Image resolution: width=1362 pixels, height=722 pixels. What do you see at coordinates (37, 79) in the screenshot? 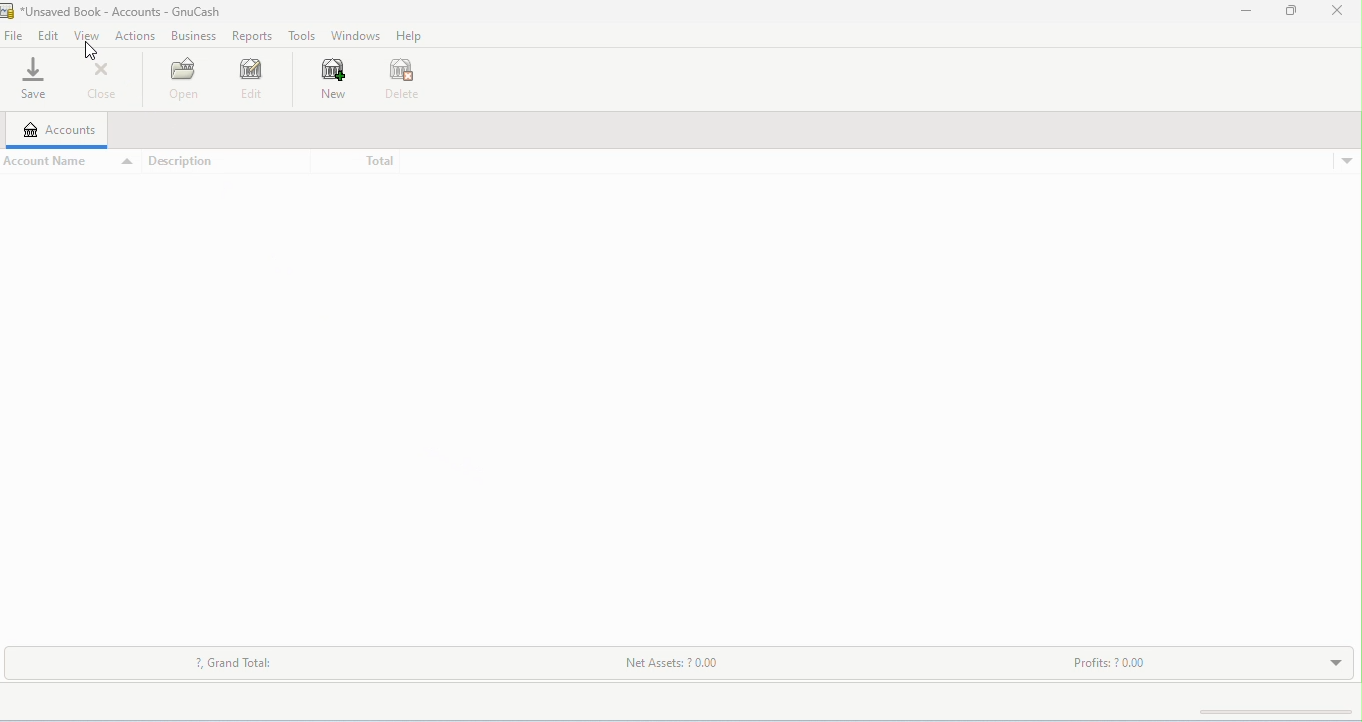
I see `save` at bounding box center [37, 79].